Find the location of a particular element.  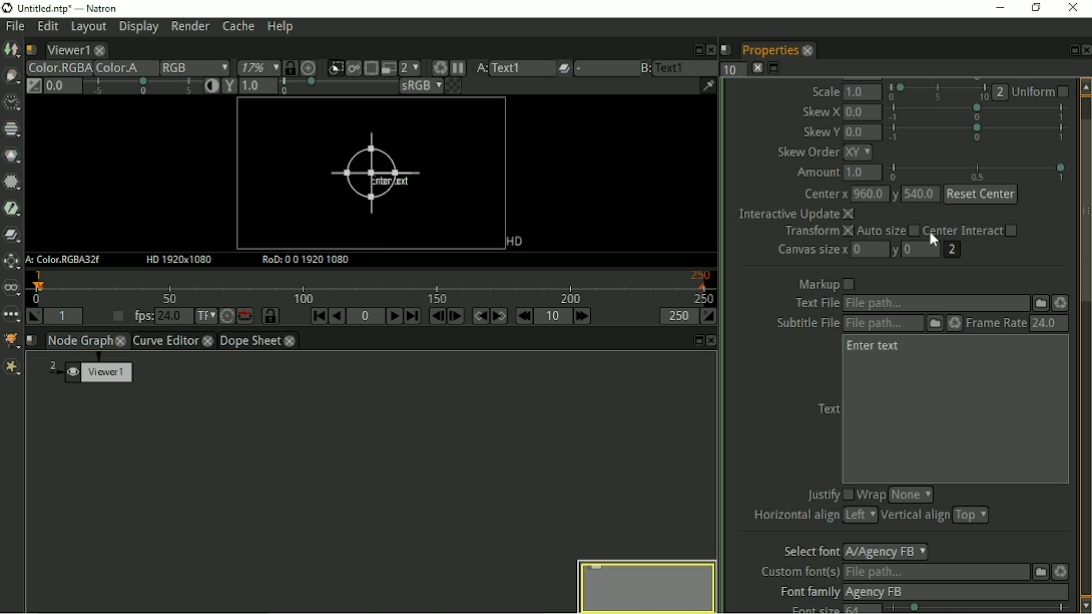

Float pane is located at coordinates (696, 340).